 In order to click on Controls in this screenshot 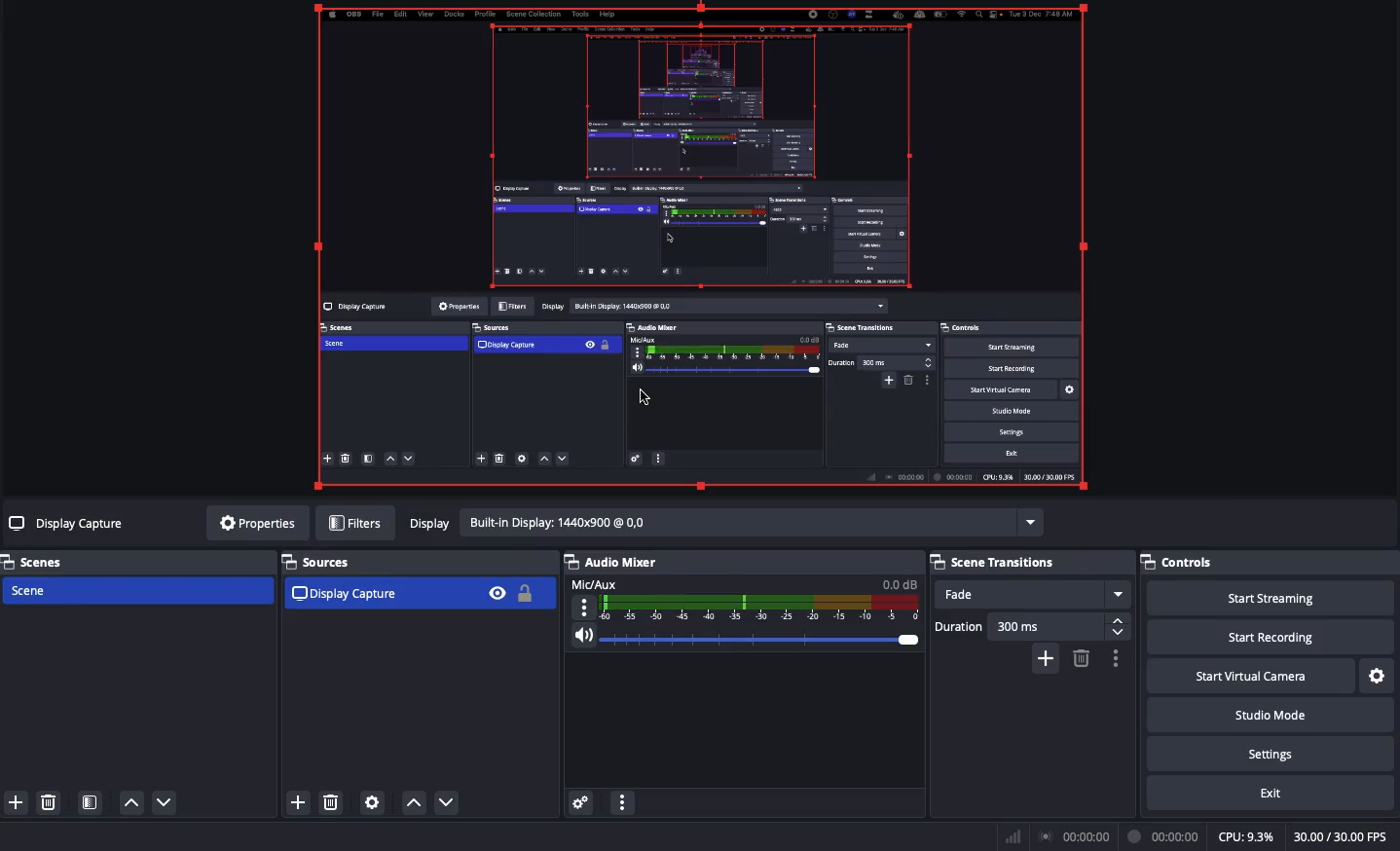, I will do `click(1270, 564)`.